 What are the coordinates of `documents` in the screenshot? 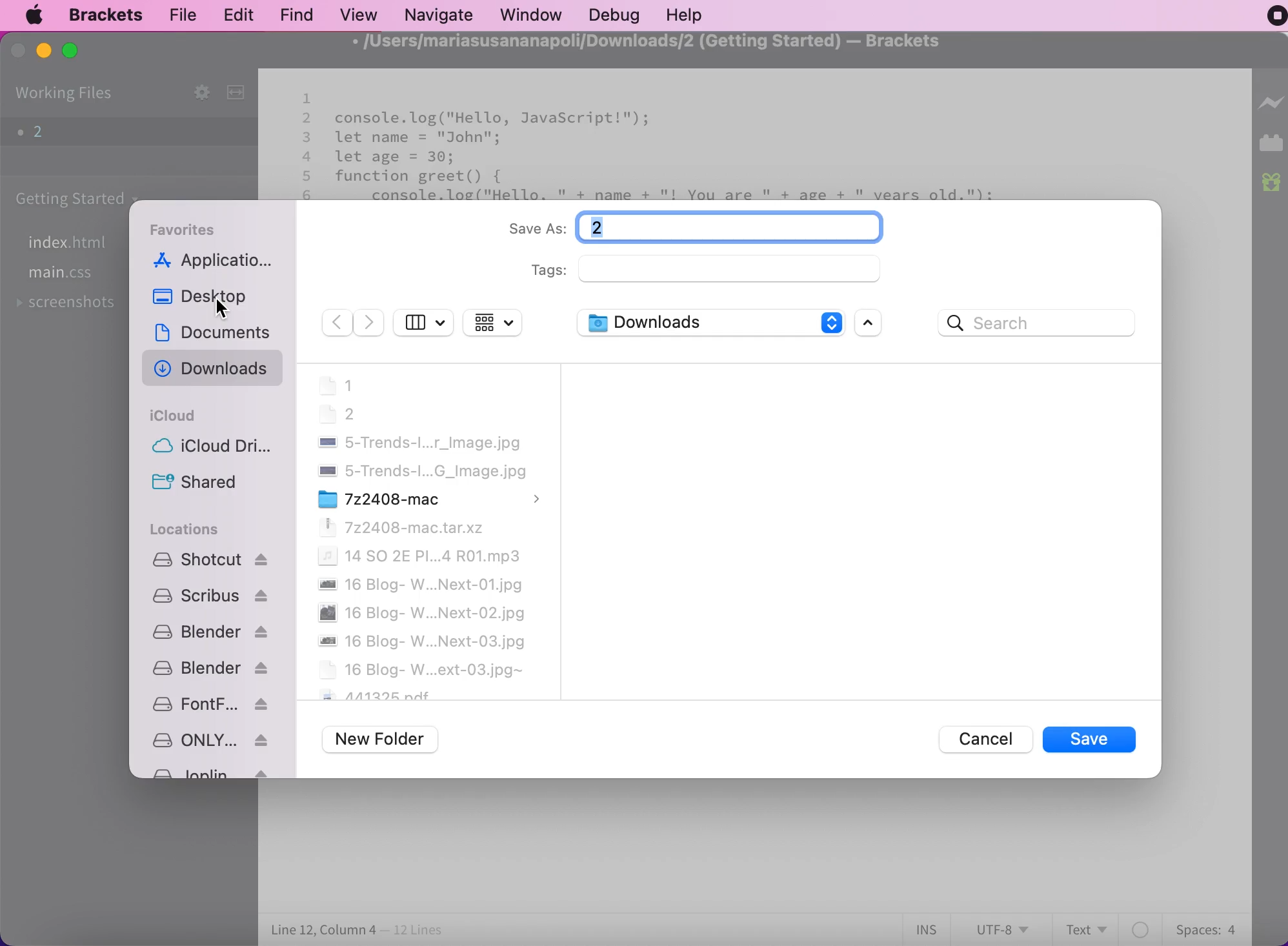 It's located at (220, 330).